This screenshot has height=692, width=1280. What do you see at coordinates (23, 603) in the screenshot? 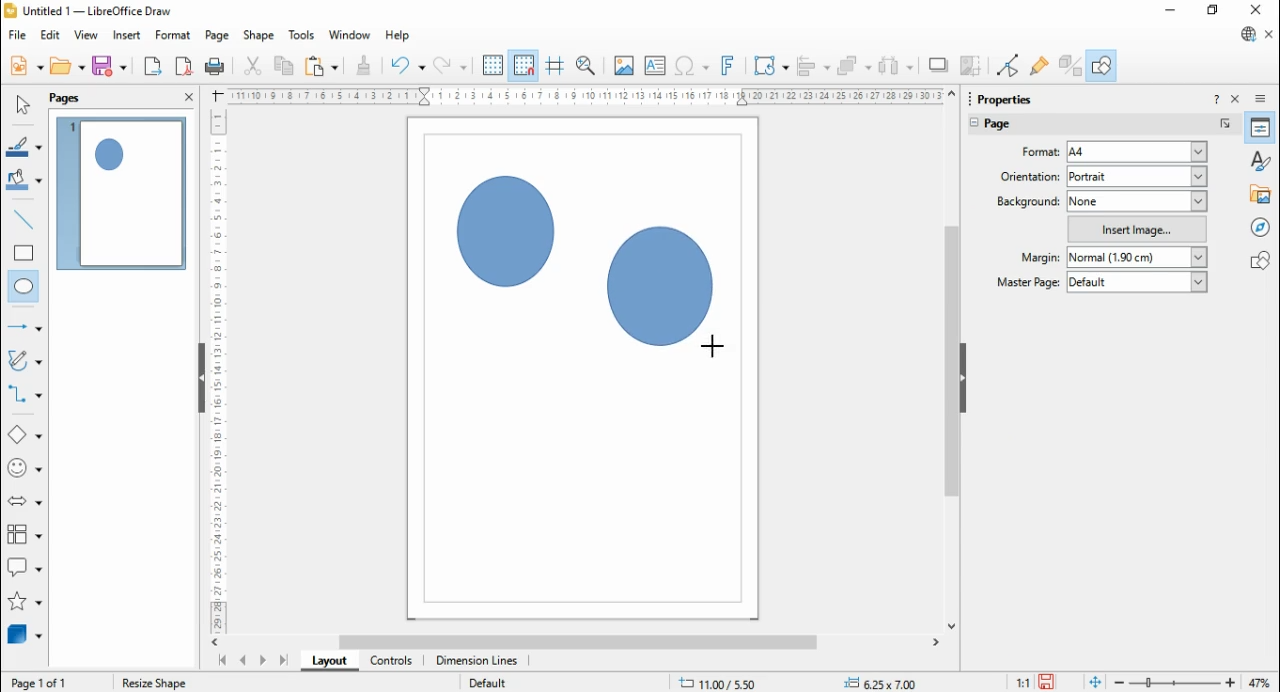
I see `stars and banners ` at bounding box center [23, 603].